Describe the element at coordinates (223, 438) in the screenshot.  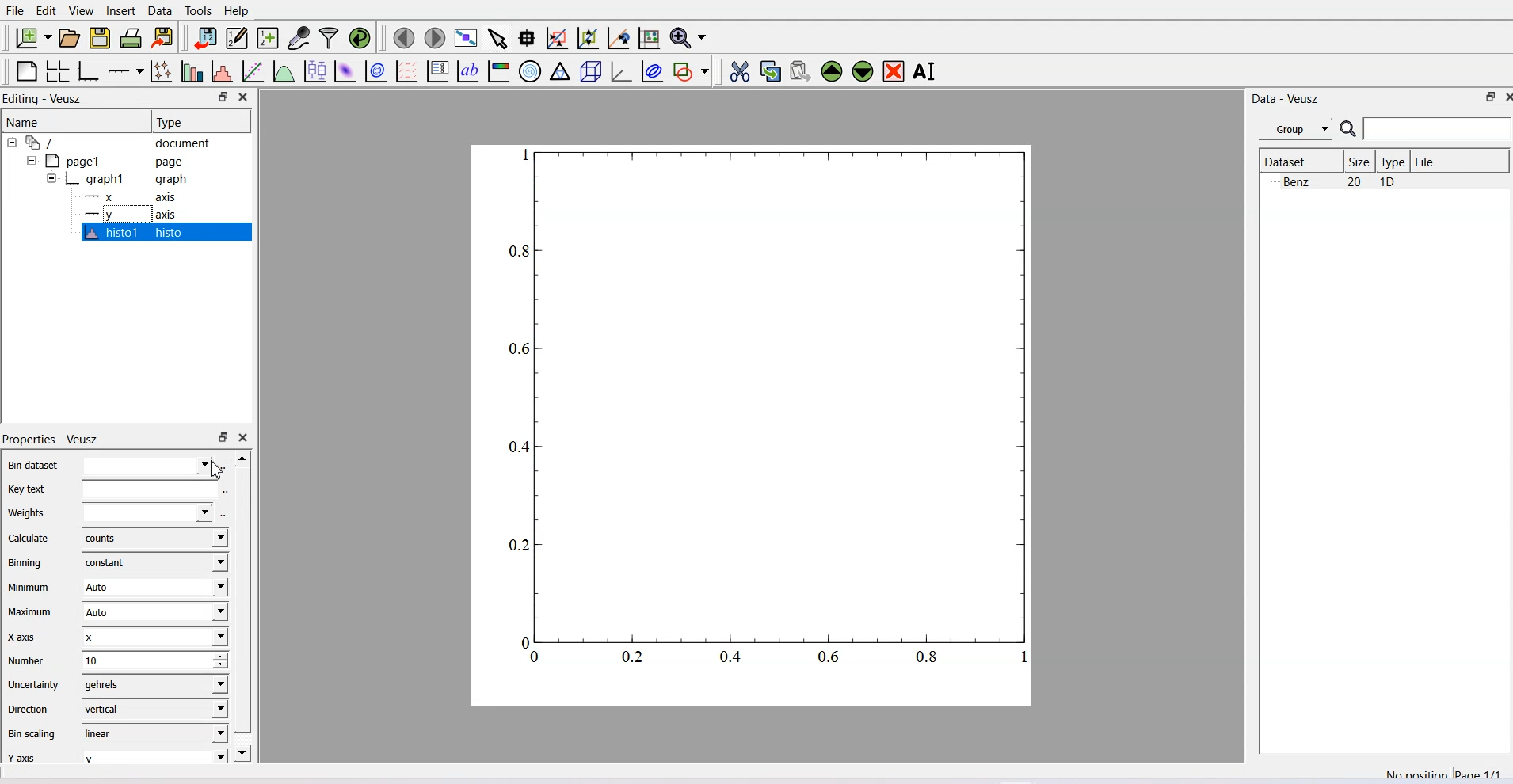
I see `Maximize` at that location.